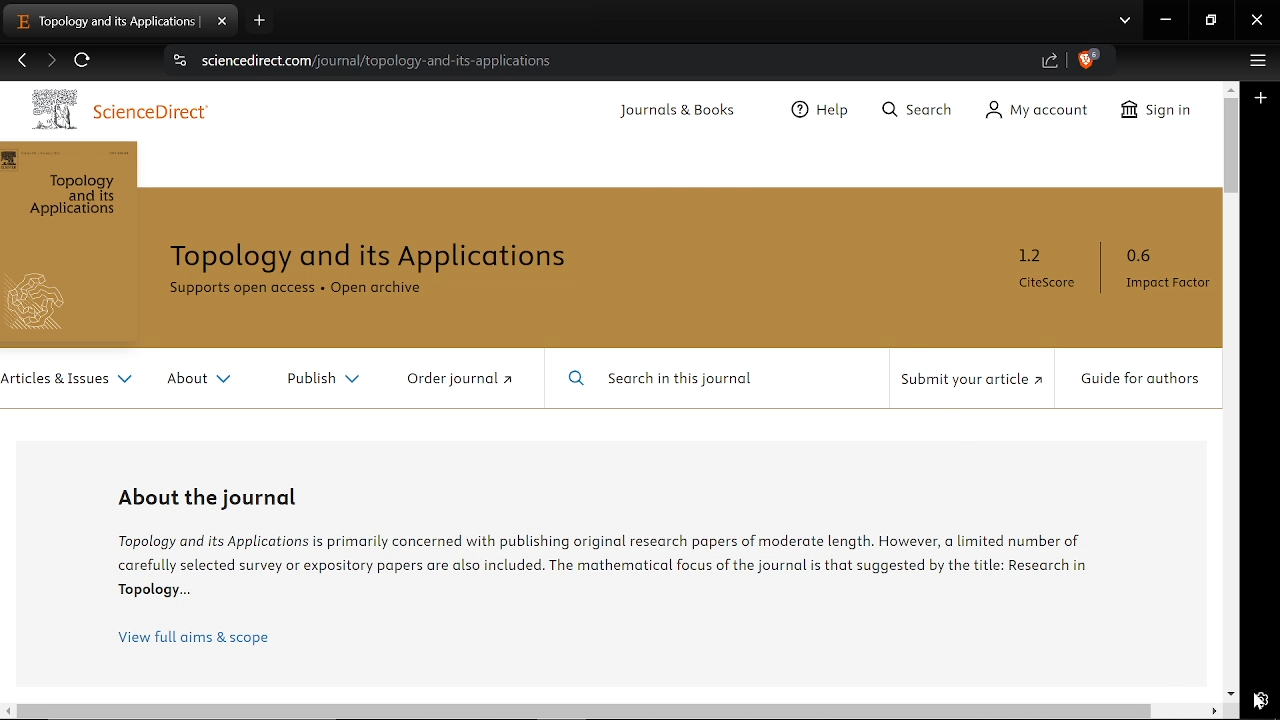 Image resolution: width=1280 pixels, height=720 pixels. Describe the element at coordinates (612, 61) in the screenshot. I see `Cite link` at that location.